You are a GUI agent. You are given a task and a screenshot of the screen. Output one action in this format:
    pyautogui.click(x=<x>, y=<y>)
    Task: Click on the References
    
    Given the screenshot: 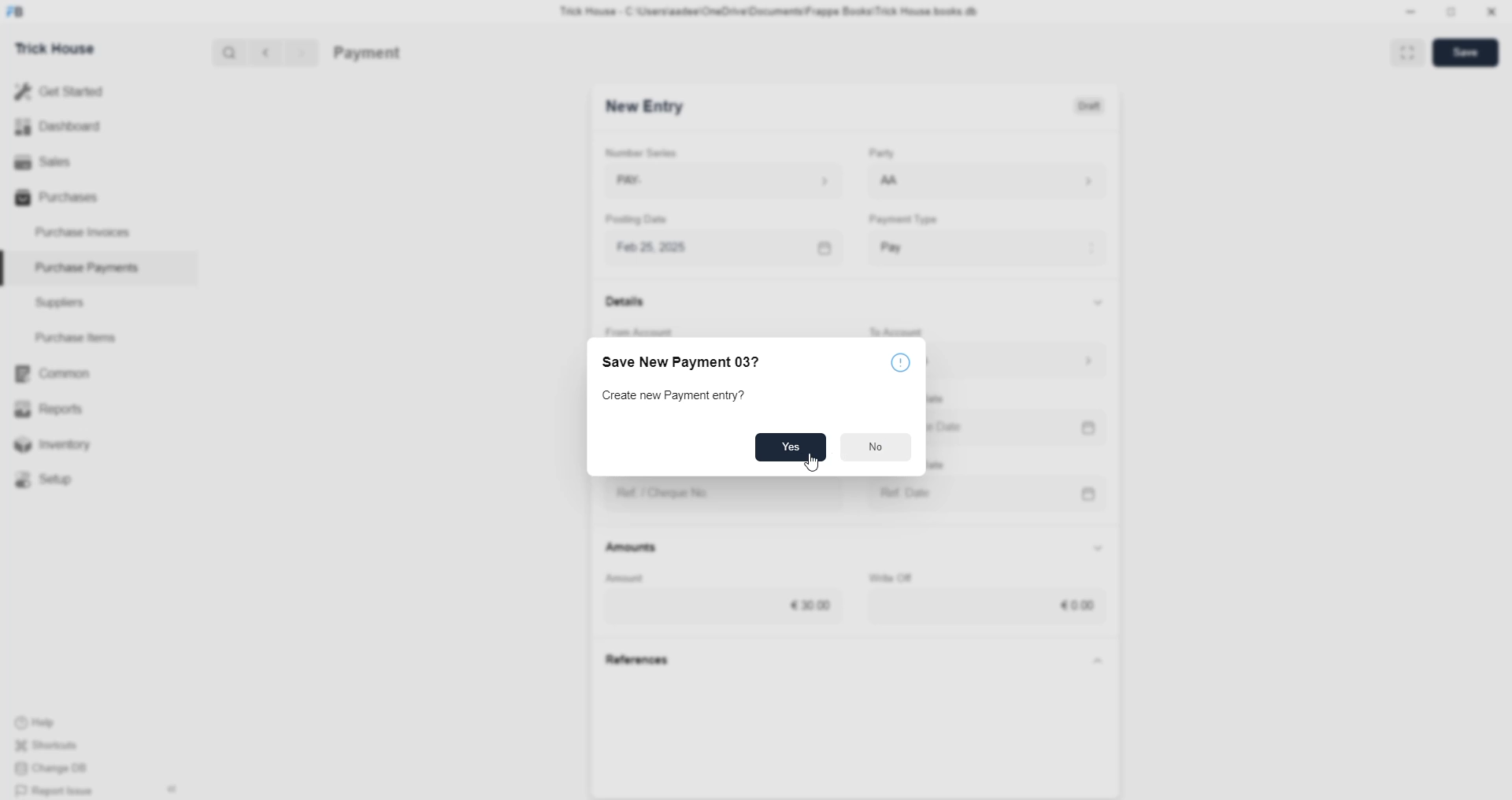 What is the action you would take?
    pyautogui.click(x=646, y=661)
    